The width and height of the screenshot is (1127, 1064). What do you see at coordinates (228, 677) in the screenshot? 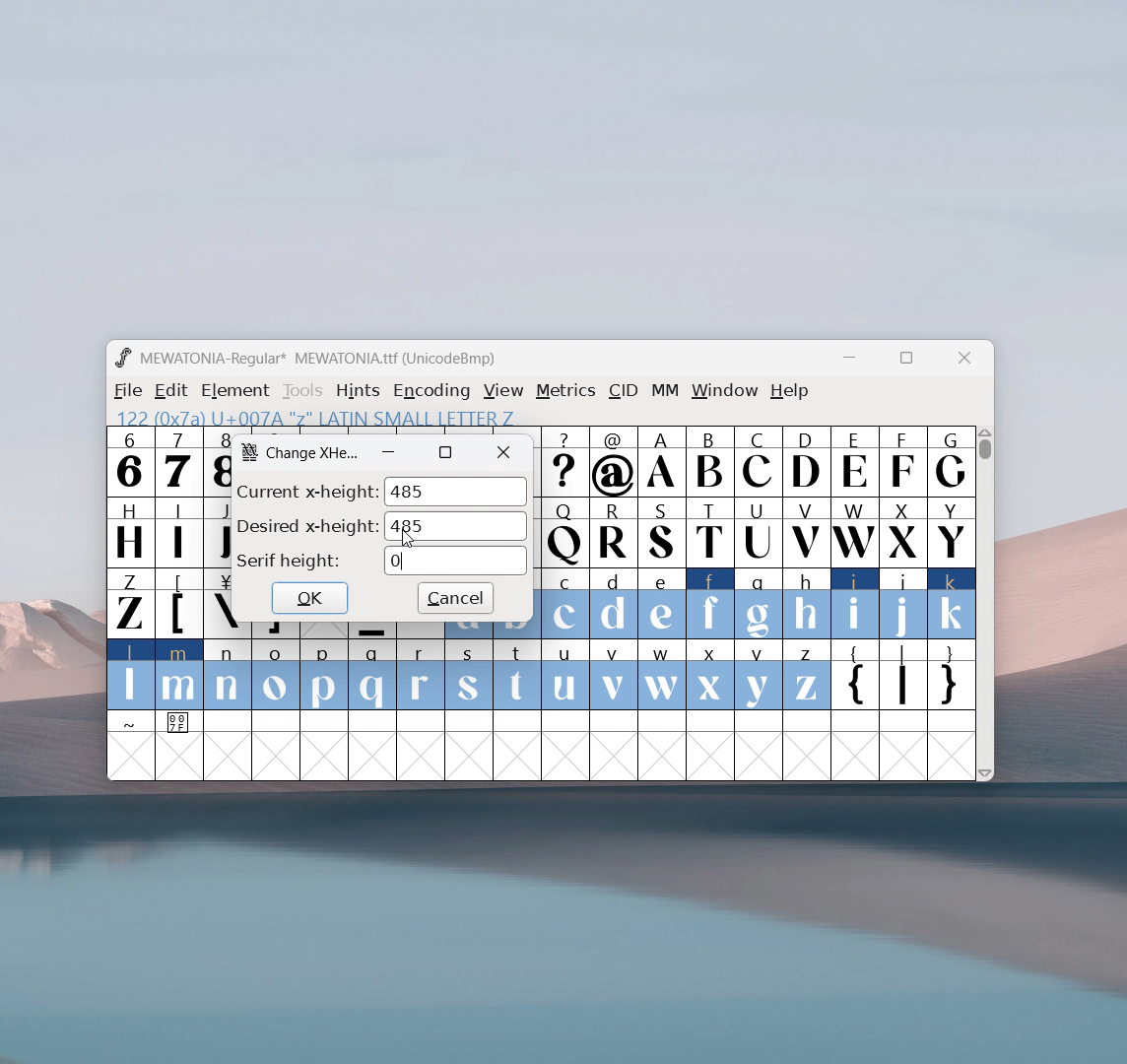
I see `n` at bounding box center [228, 677].